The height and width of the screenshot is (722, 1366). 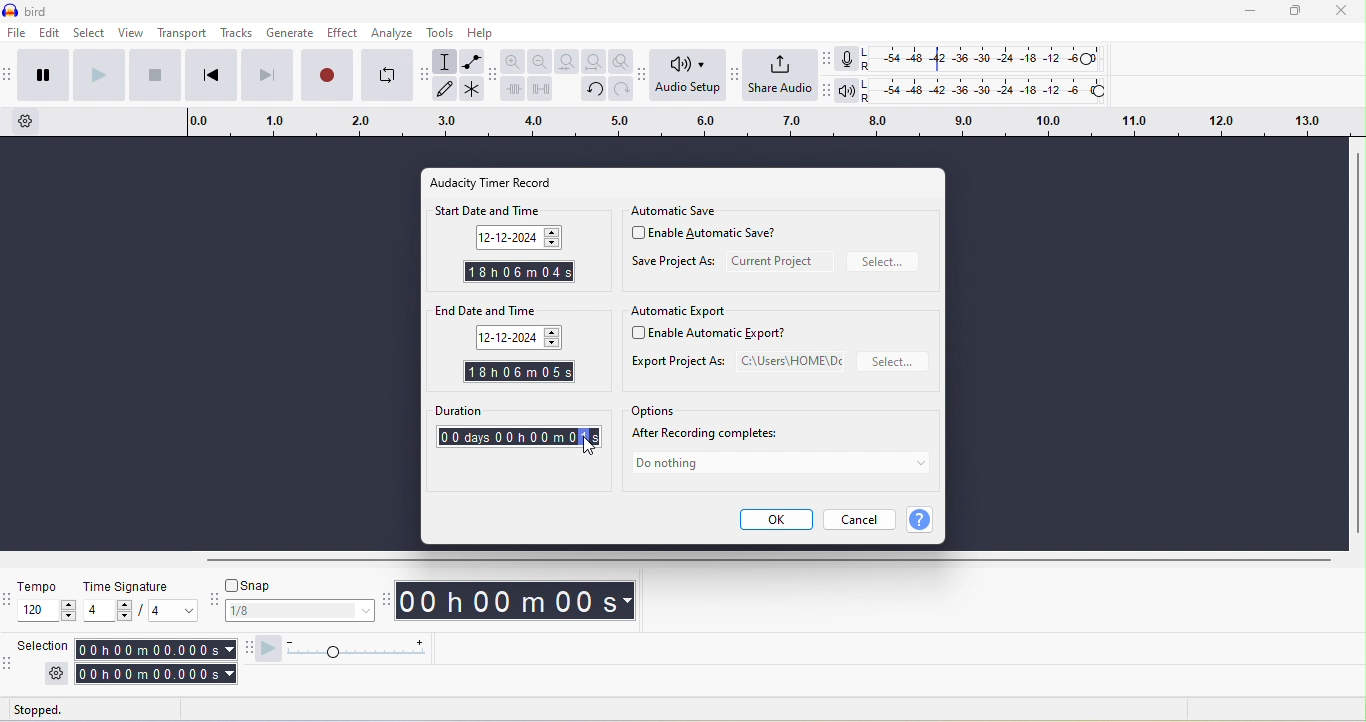 What do you see at coordinates (518, 411) in the screenshot?
I see `duration` at bounding box center [518, 411].